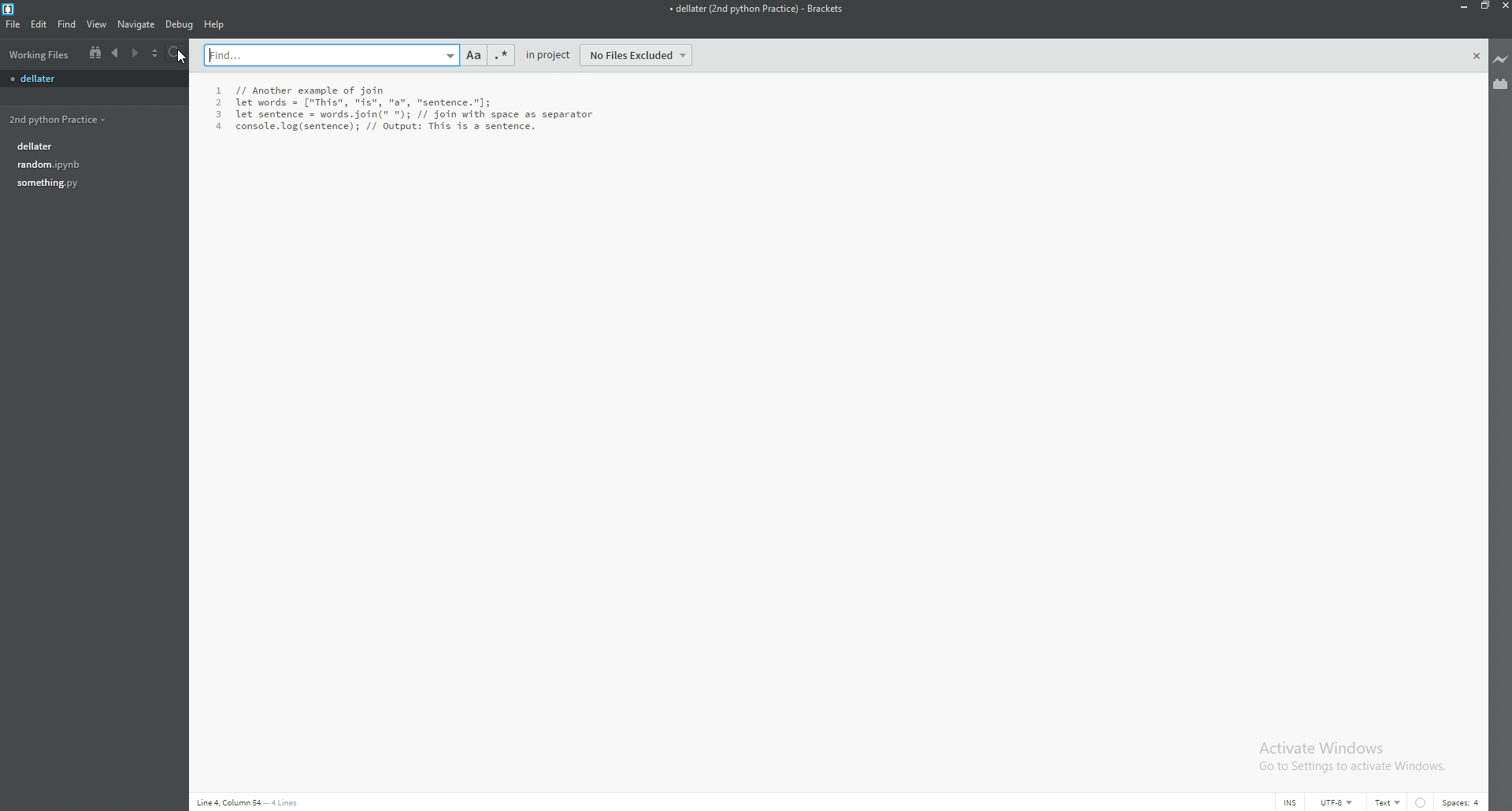 Image resolution: width=1512 pixels, height=811 pixels. What do you see at coordinates (38, 25) in the screenshot?
I see `edit` at bounding box center [38, 25].